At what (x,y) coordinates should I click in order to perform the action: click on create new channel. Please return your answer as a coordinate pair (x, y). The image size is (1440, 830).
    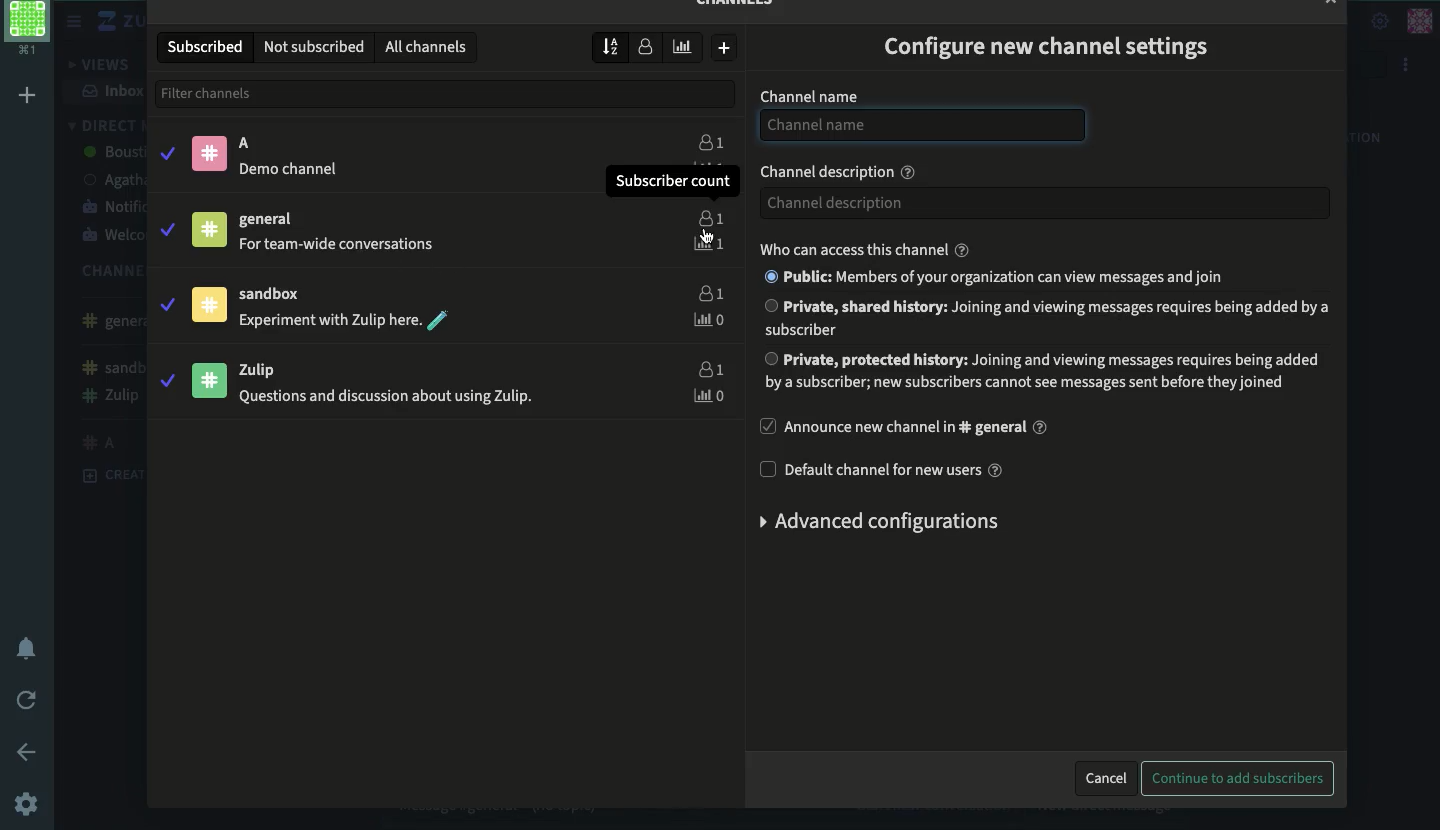
    Looking at the image, I should click on (726, 49).